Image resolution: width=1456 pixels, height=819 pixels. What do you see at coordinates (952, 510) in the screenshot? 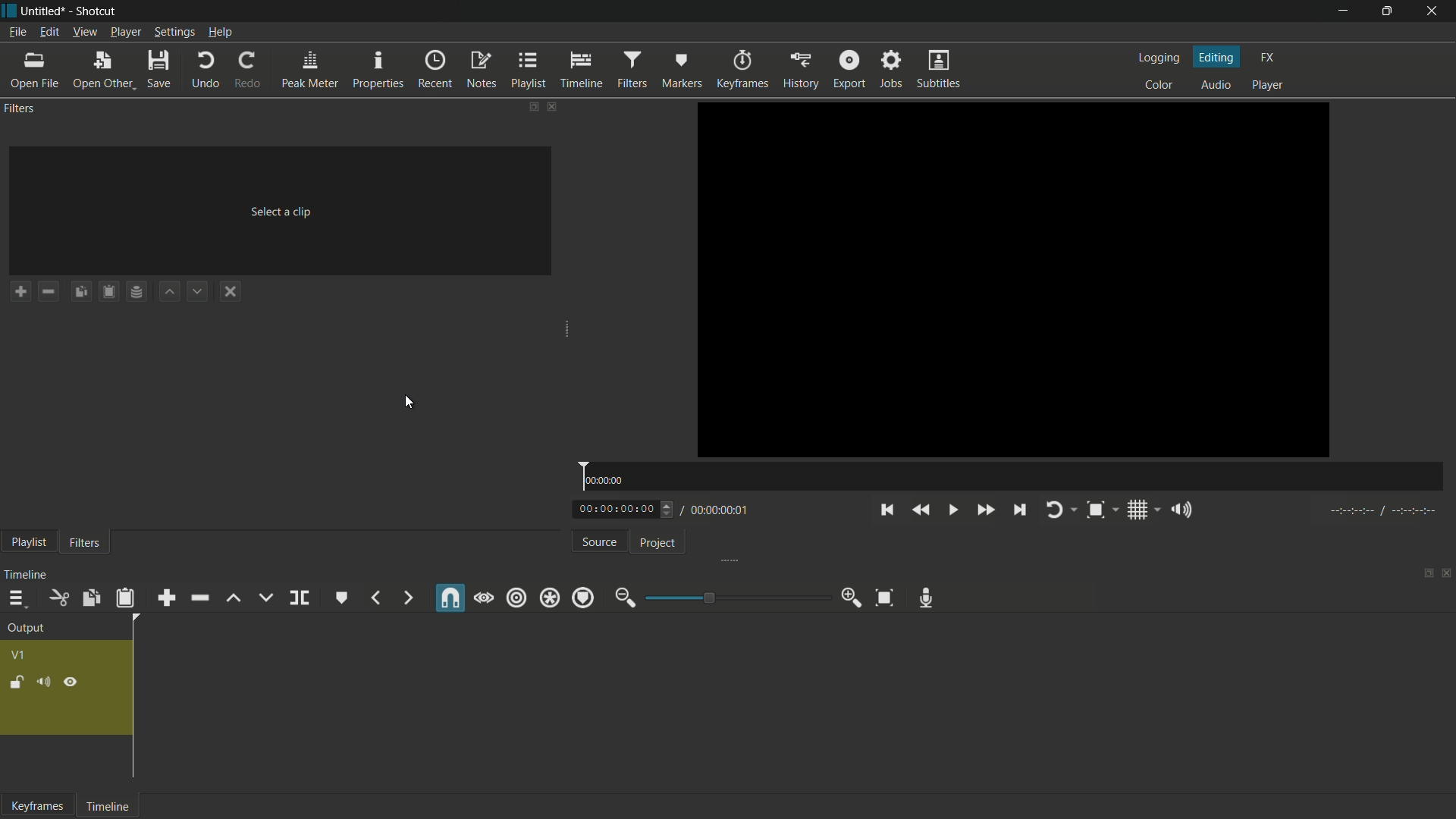
I see `toggle play or pause` at bounding box center [952, 510].